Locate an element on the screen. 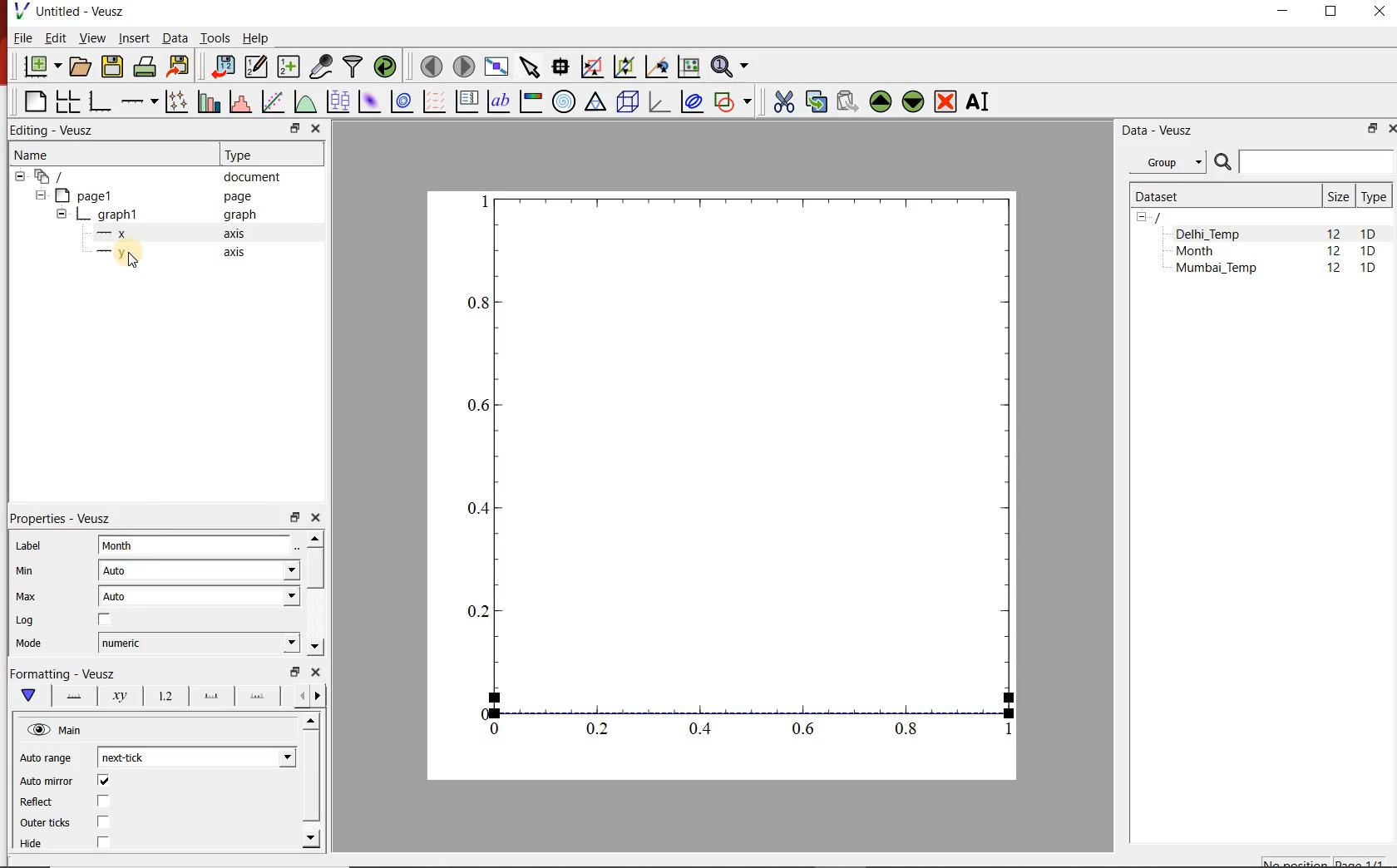 The height and width of the screenshot is (868, 1397). click to recenter graph axes is located at coordinates (656, 67).